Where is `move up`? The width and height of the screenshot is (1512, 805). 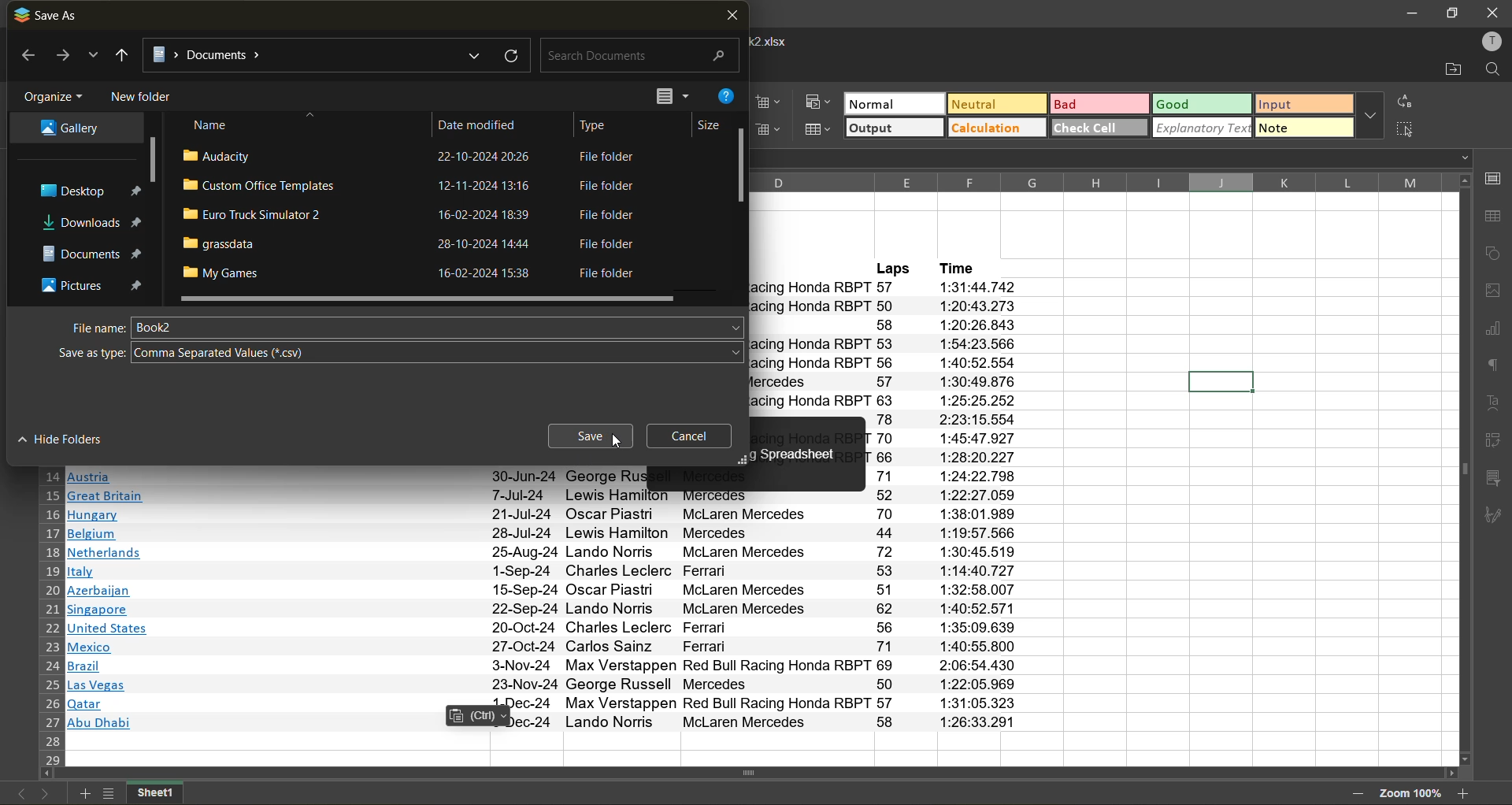
move up is located at coordinates (1463, 181).